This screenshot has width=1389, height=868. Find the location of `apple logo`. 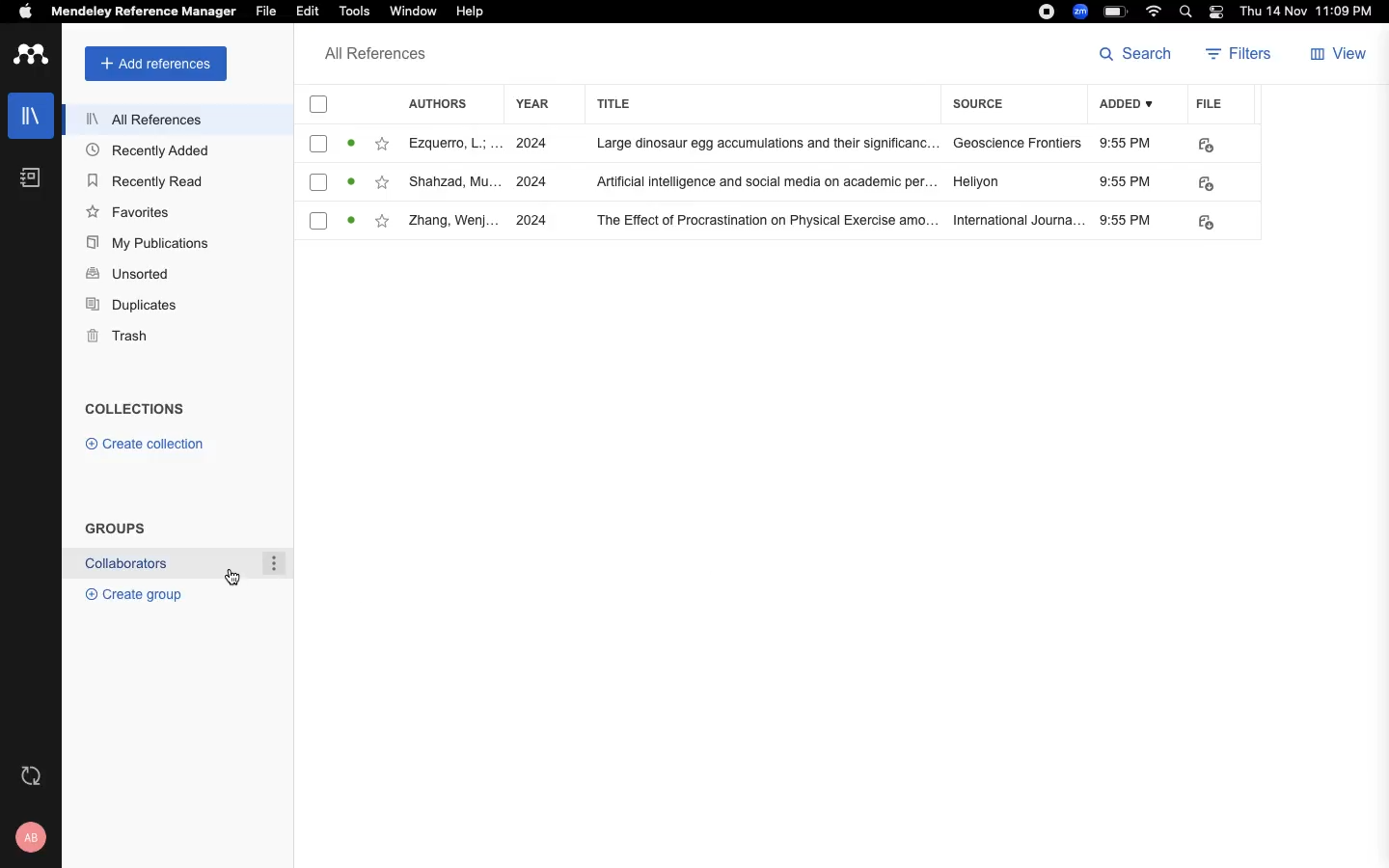

apple logo is located at coordinates (26, 14).